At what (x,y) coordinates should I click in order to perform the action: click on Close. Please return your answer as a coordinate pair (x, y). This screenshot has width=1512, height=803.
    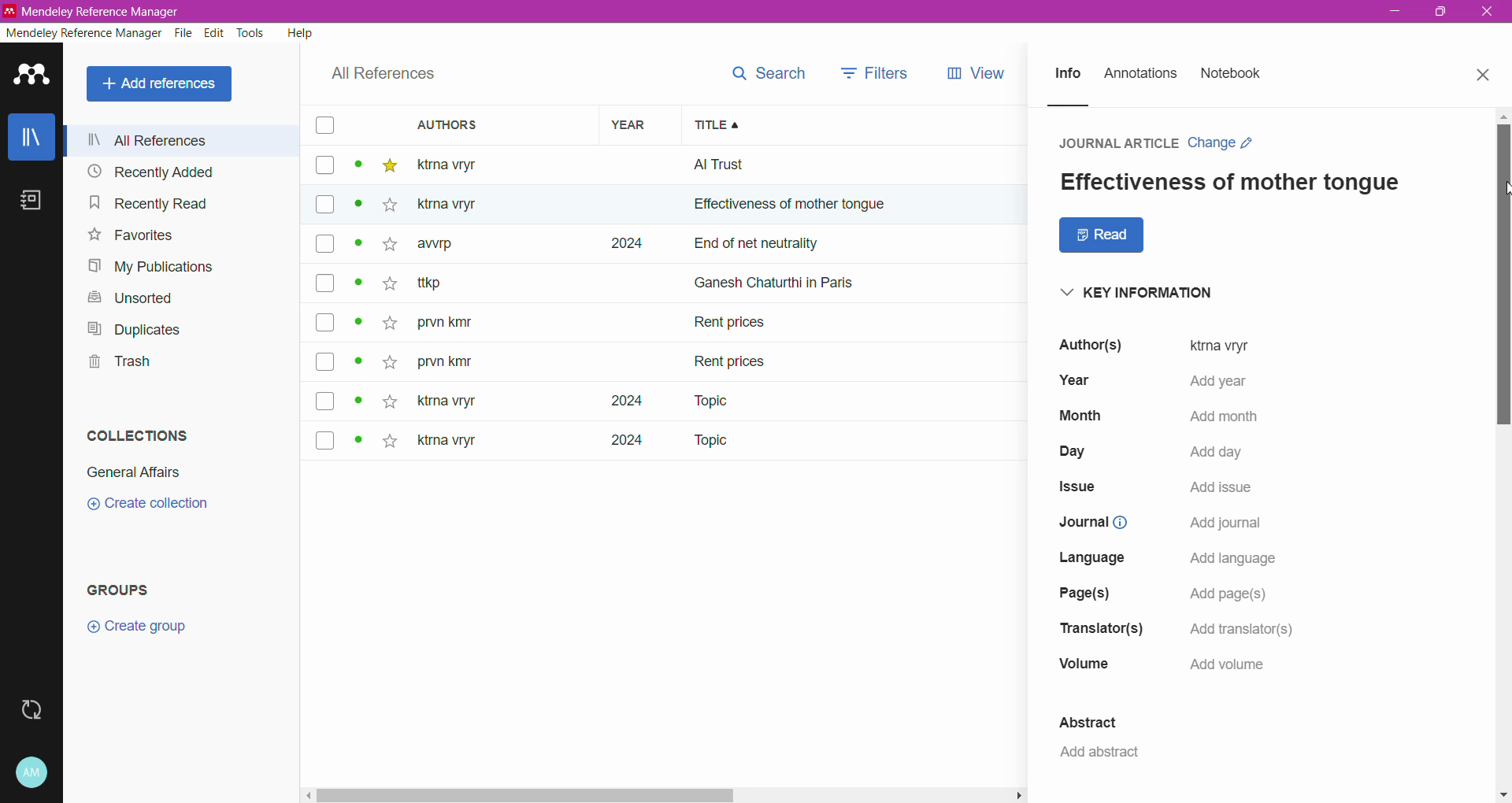
    Looking at the image, I should click on (1487, 12).